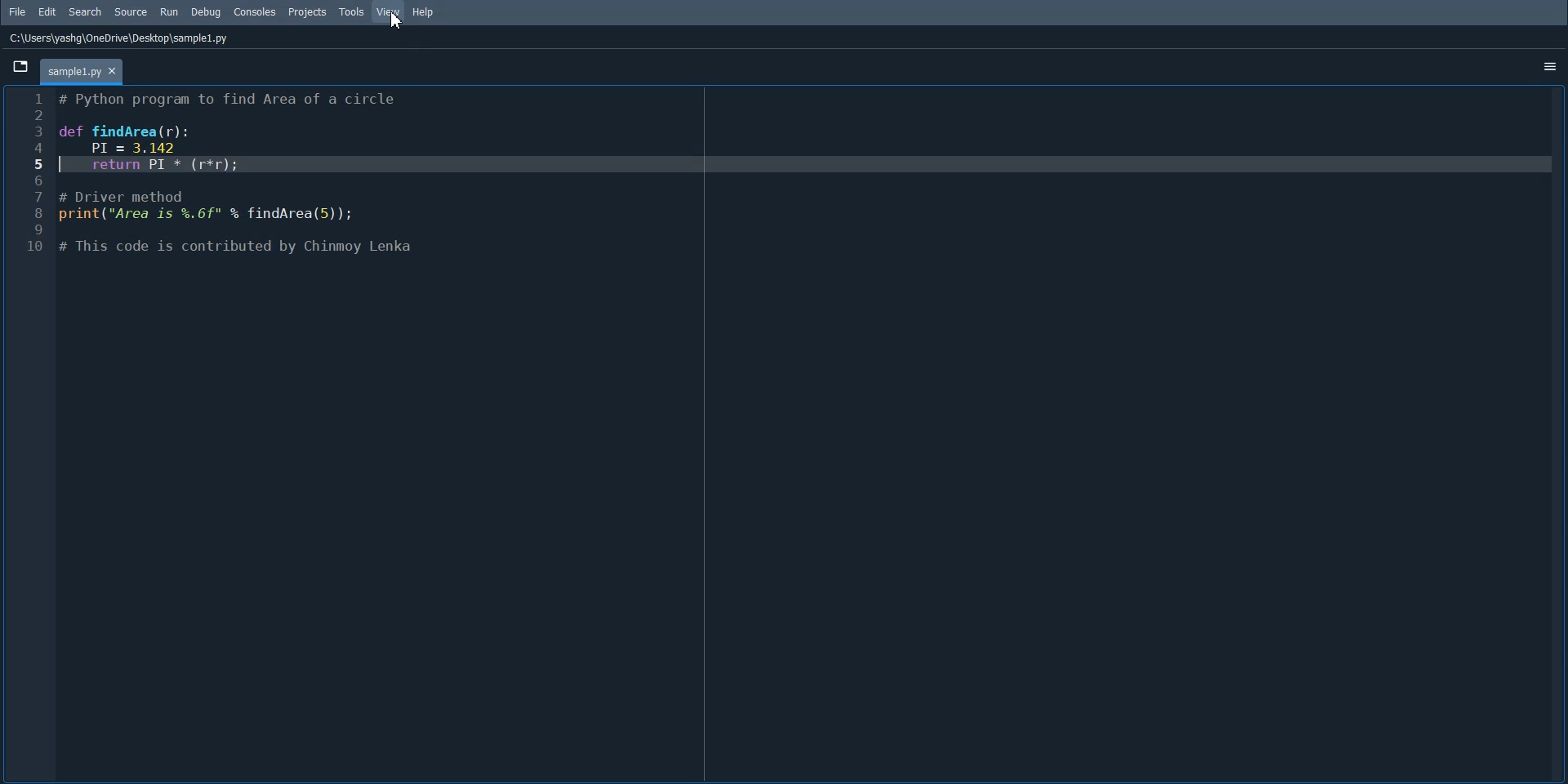  I want to click on View, so click(389, 11).